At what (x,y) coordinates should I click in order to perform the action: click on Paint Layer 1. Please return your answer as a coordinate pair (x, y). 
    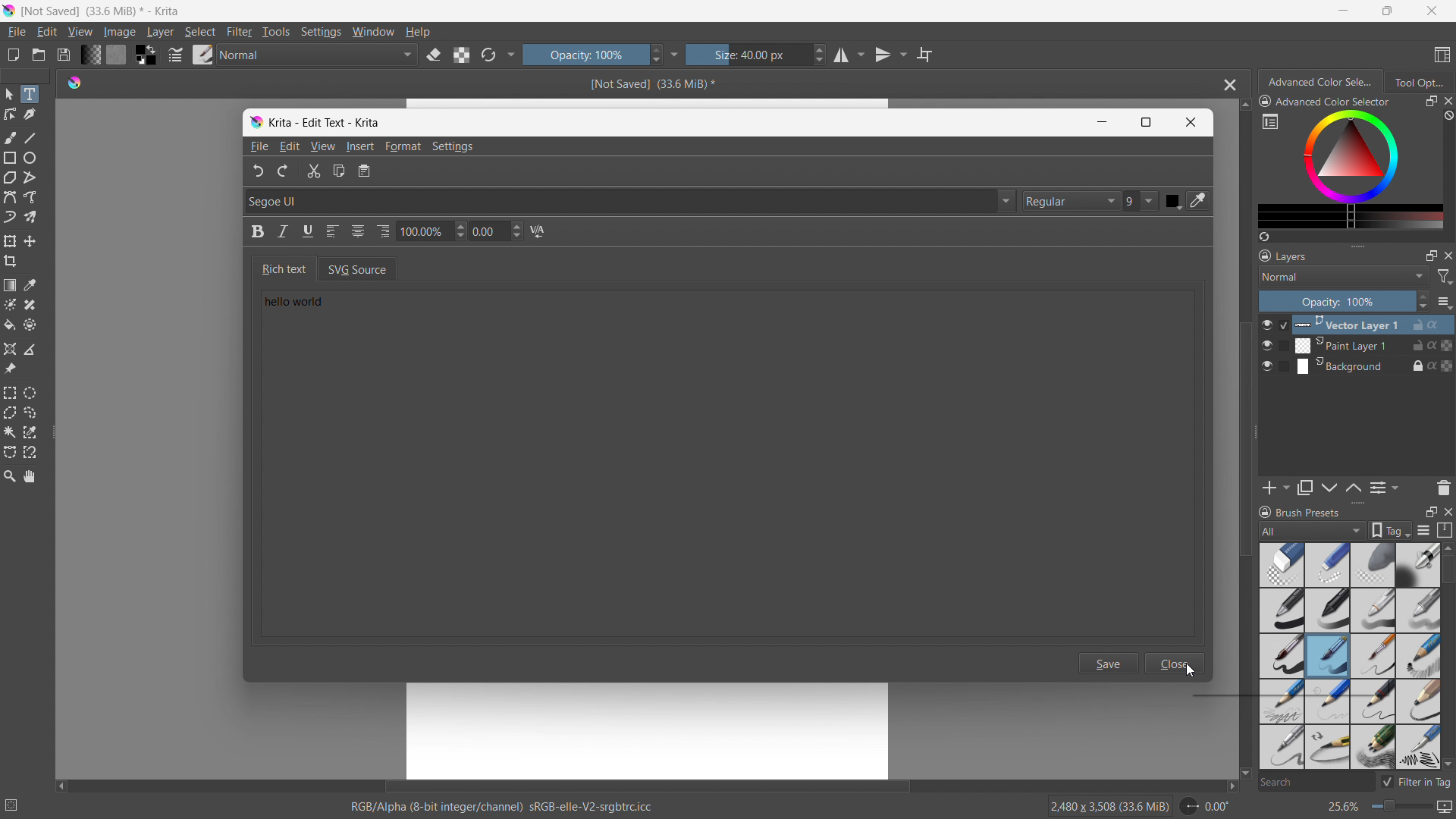
    Looking at the image, I should click on (1367, 346).